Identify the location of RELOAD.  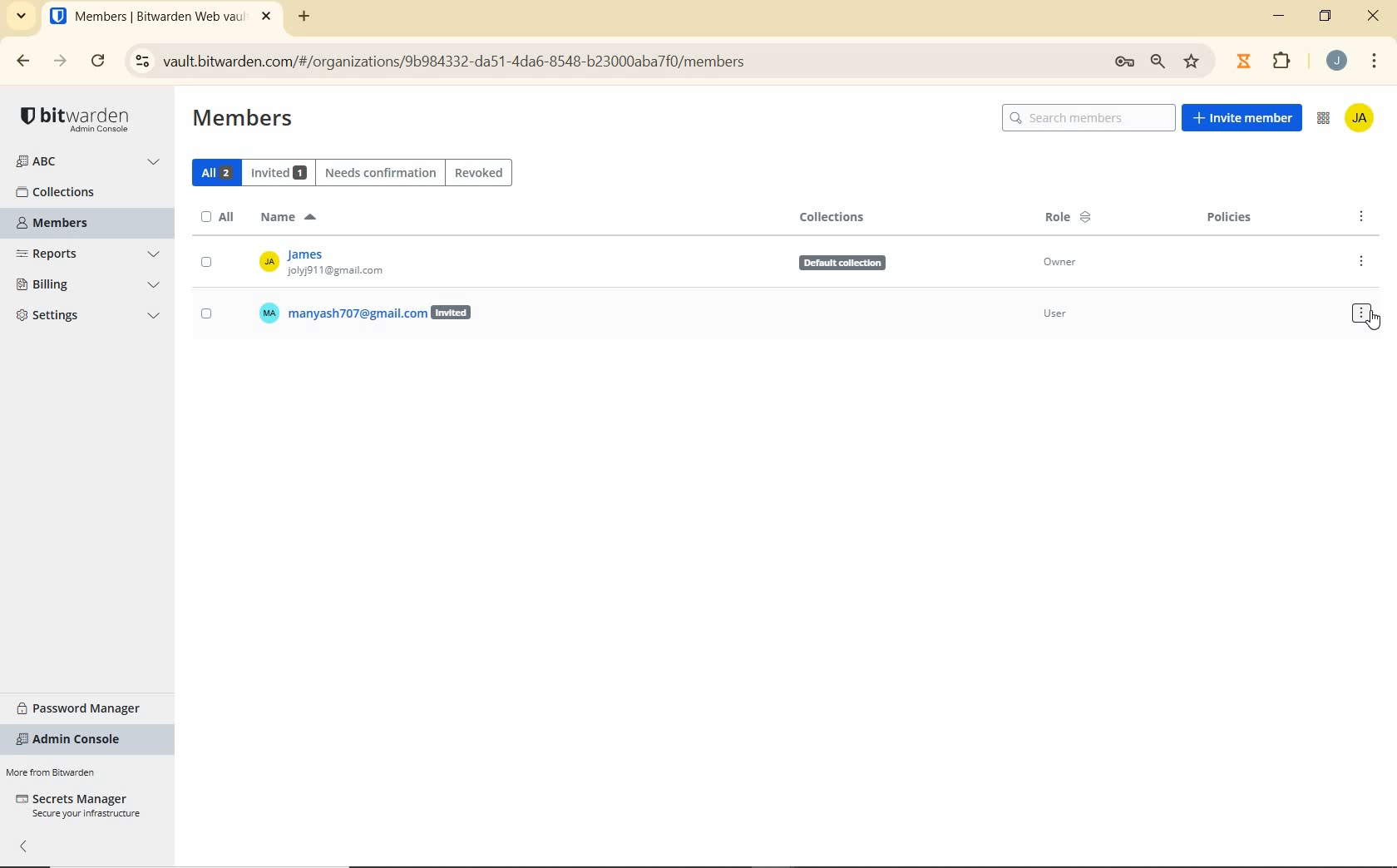
(98, 62).